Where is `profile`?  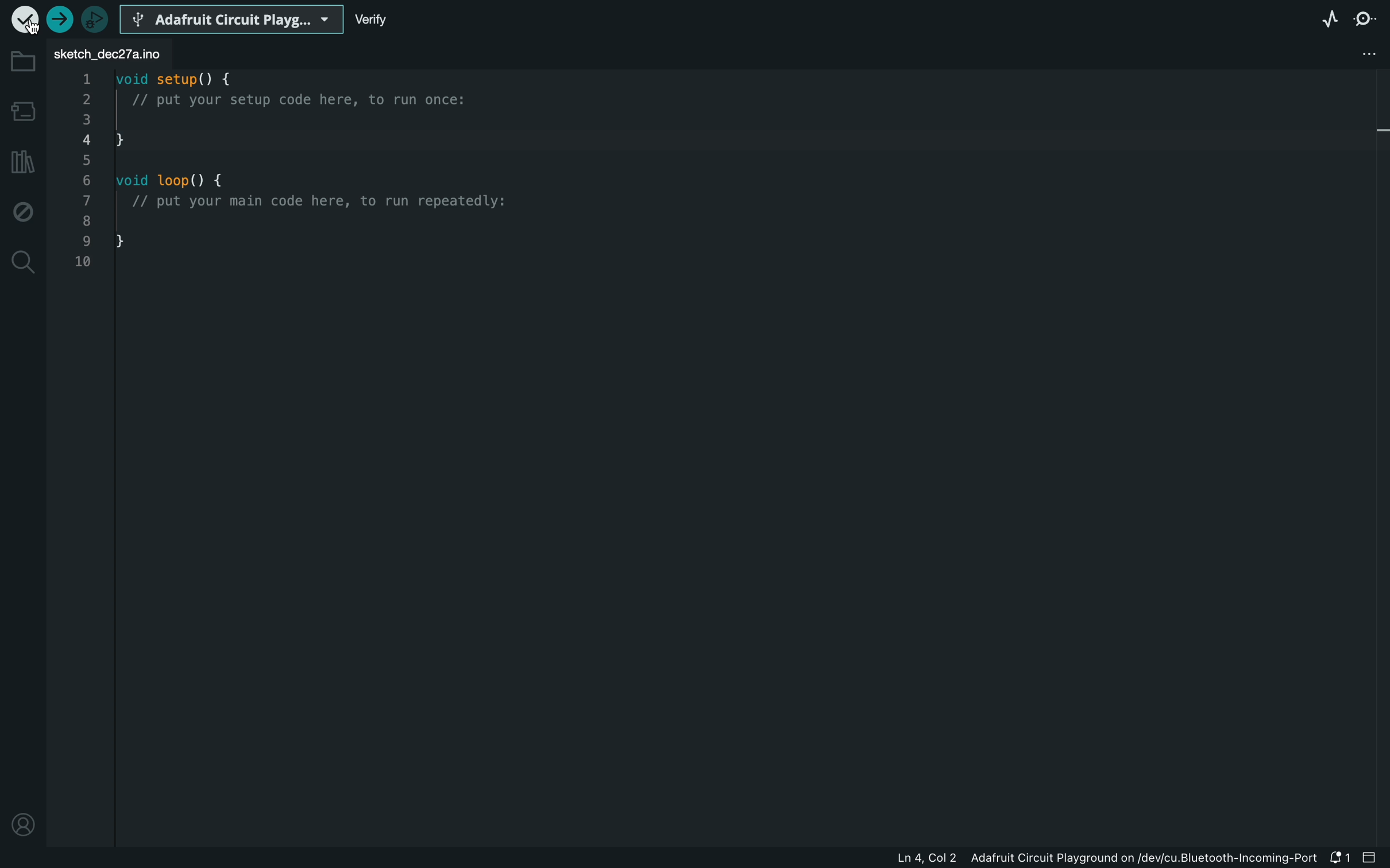 profile is located at coordinates (21, 824).